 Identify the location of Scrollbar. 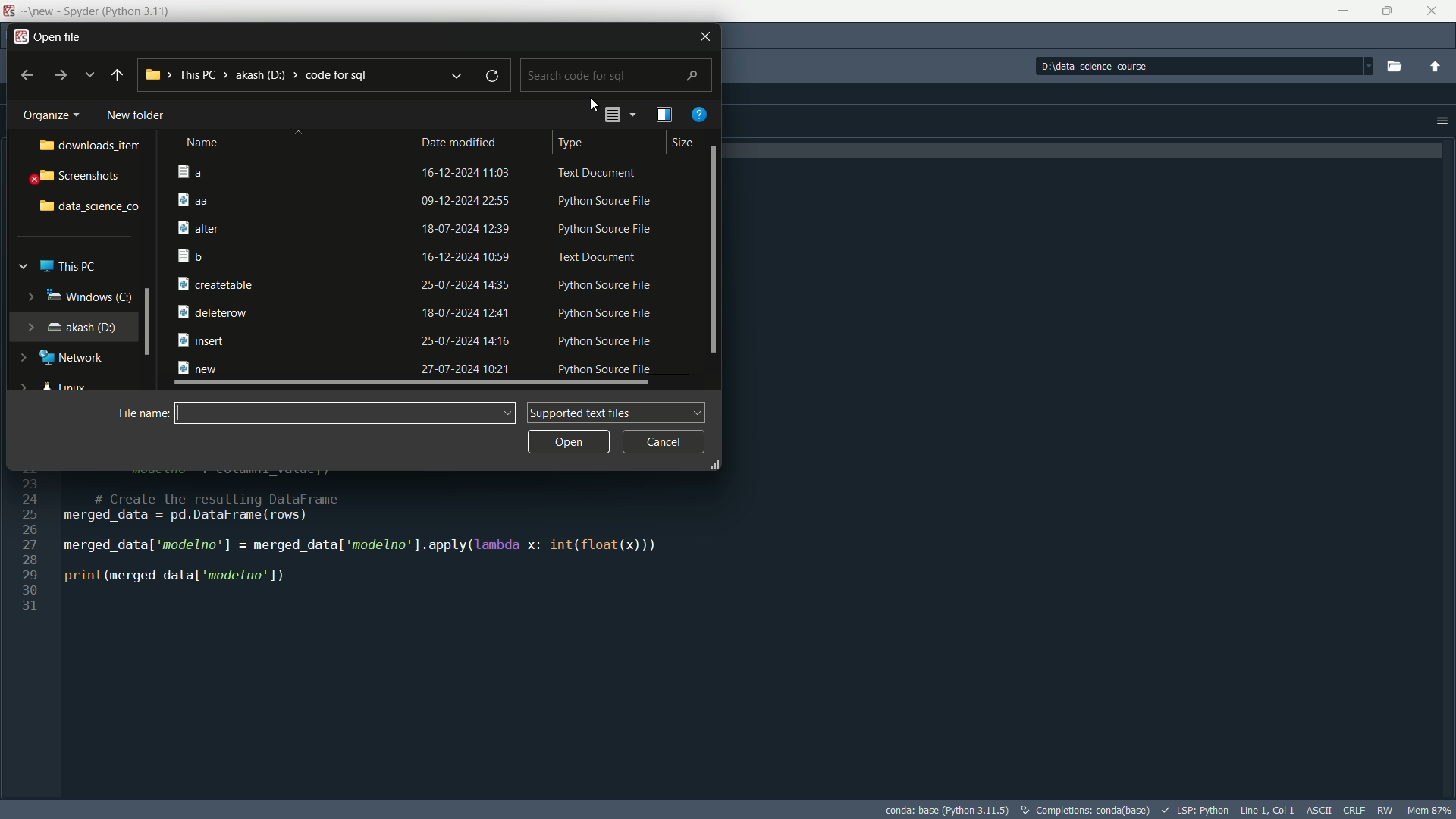
(146, 322).